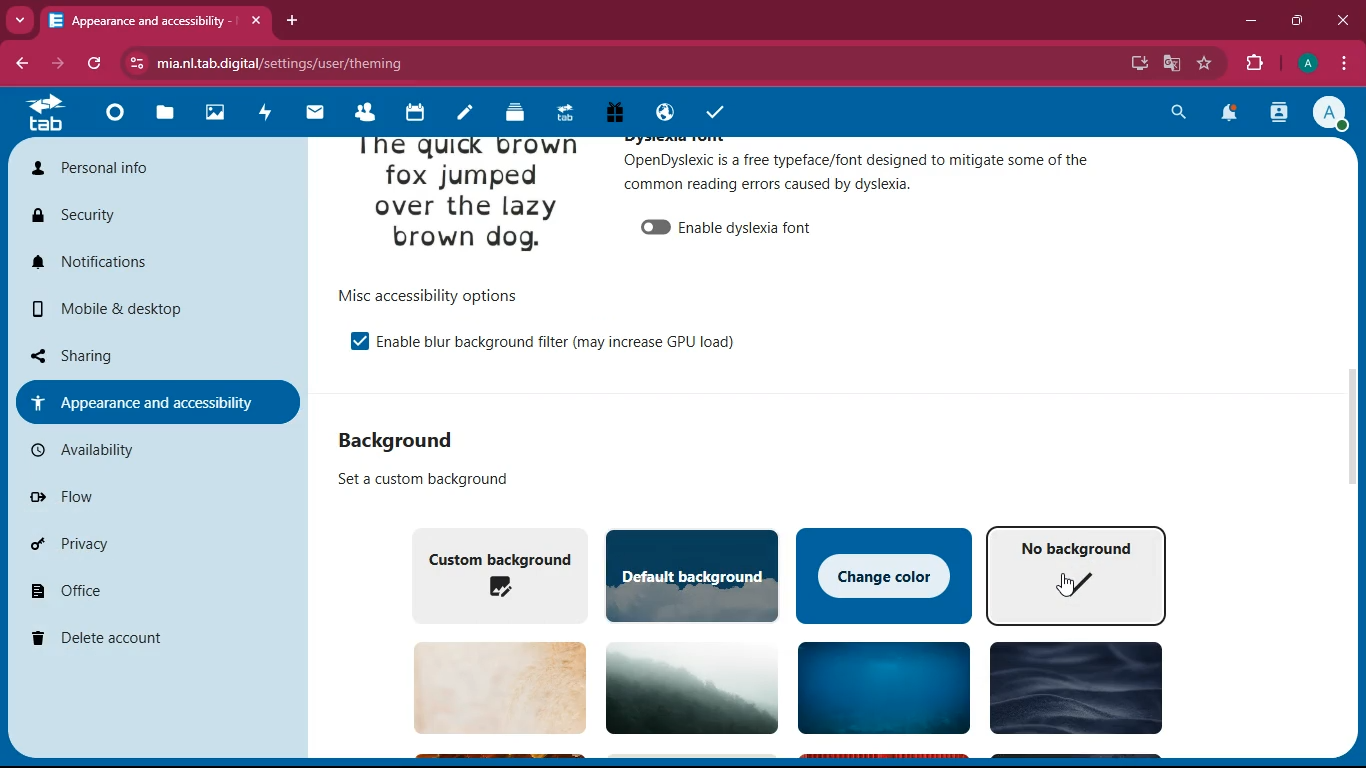 The height and width of the screenshot is (768, 1366). What do you see at coordinates (148, 218) in the screenshot?
I see `security` at bounding box center [148, 218].